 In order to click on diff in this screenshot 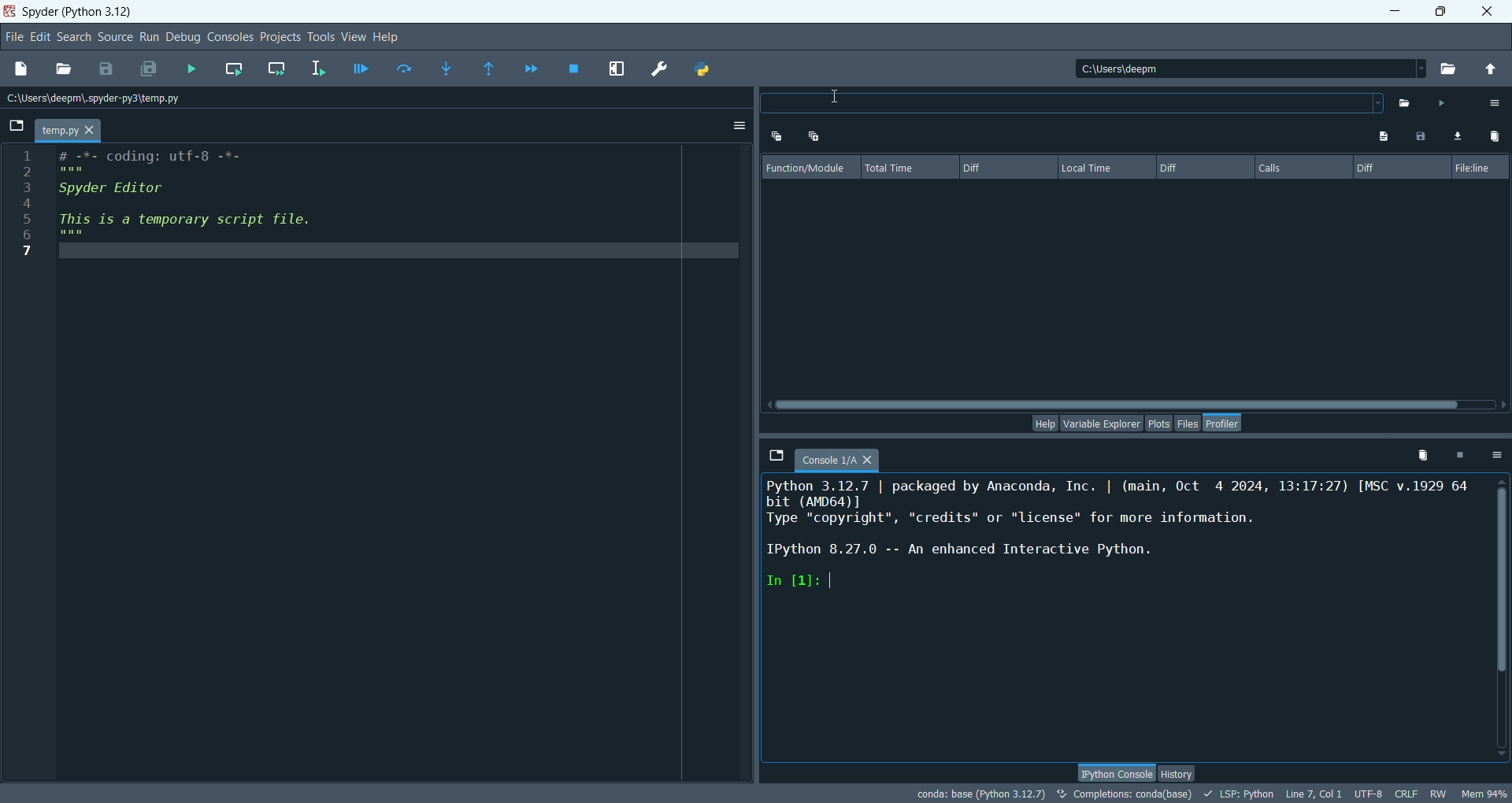, I will do `click(1207, 167)`.